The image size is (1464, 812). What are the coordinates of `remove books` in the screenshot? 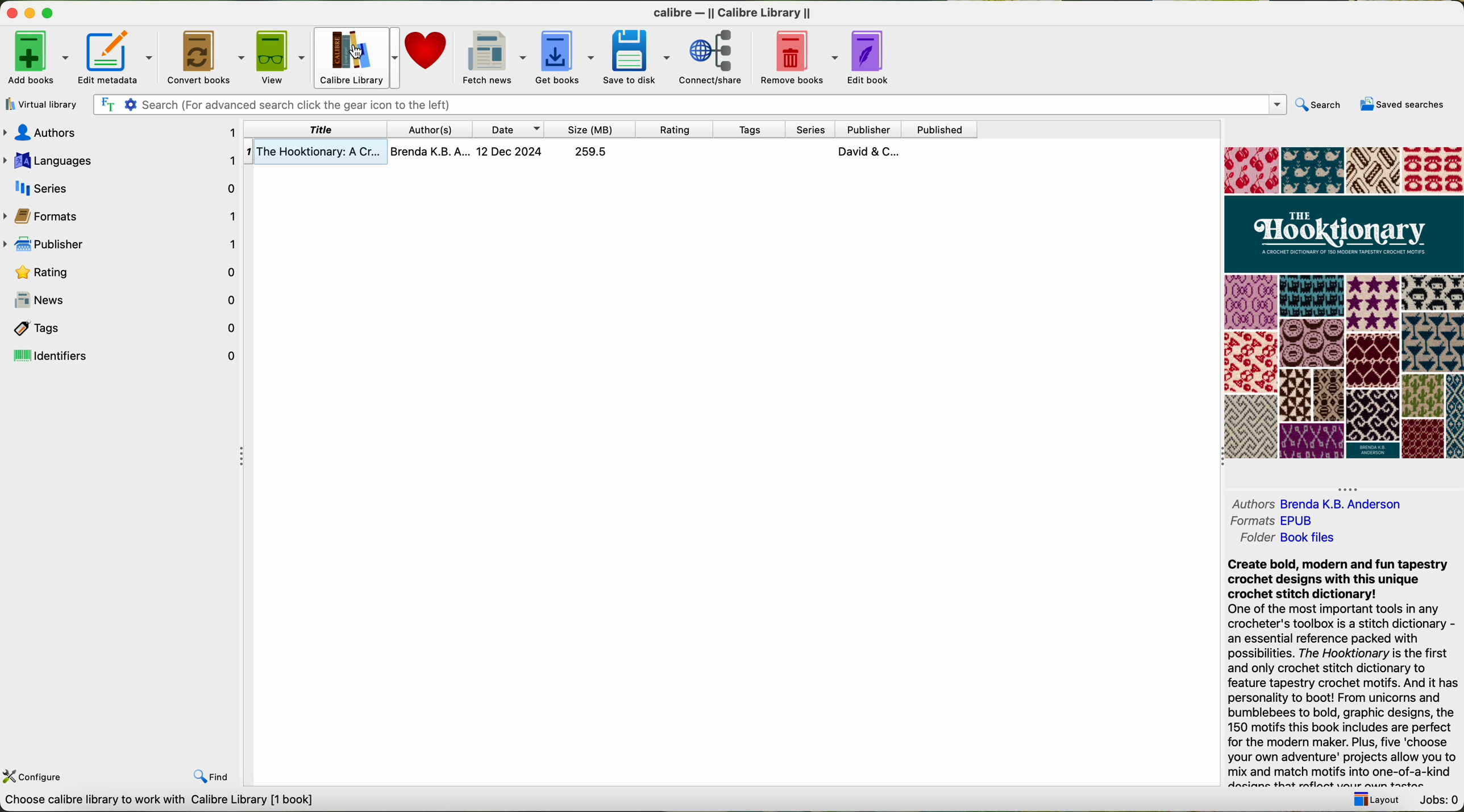 It's located at (801, 59).